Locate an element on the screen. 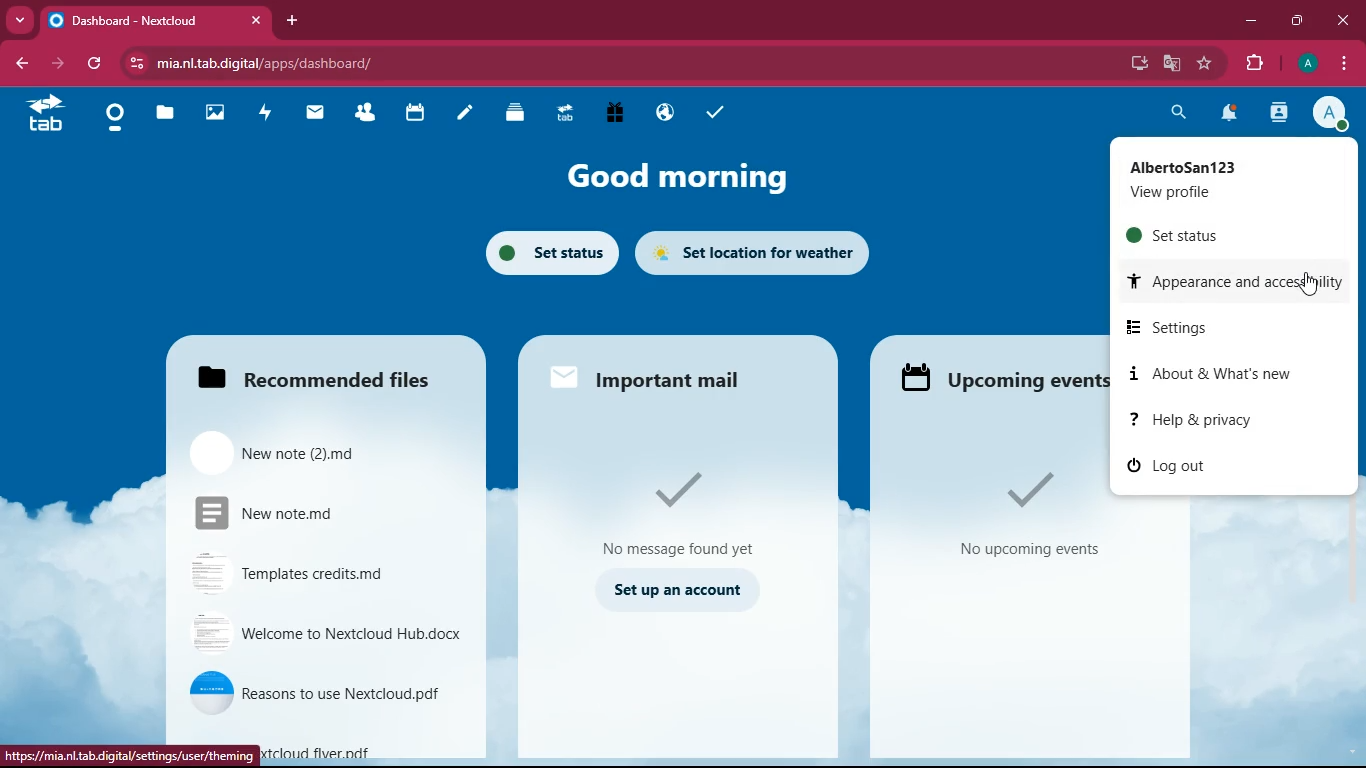 The height and width of the screenshot is (768, 1366). events is located at coordinates (1011, 515).